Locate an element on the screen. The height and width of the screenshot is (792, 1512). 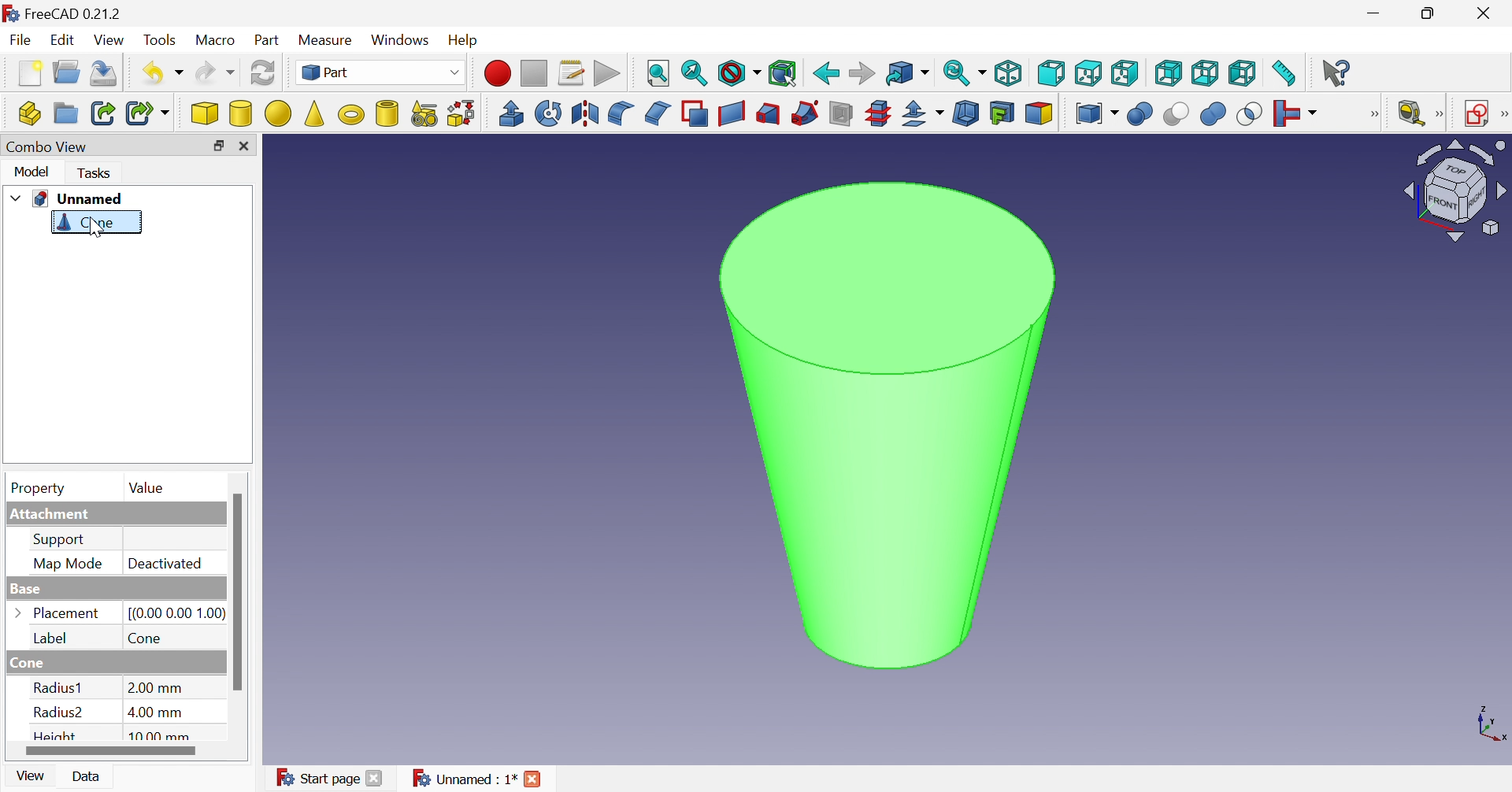
Map Mode is located at coordinates (69, 565).